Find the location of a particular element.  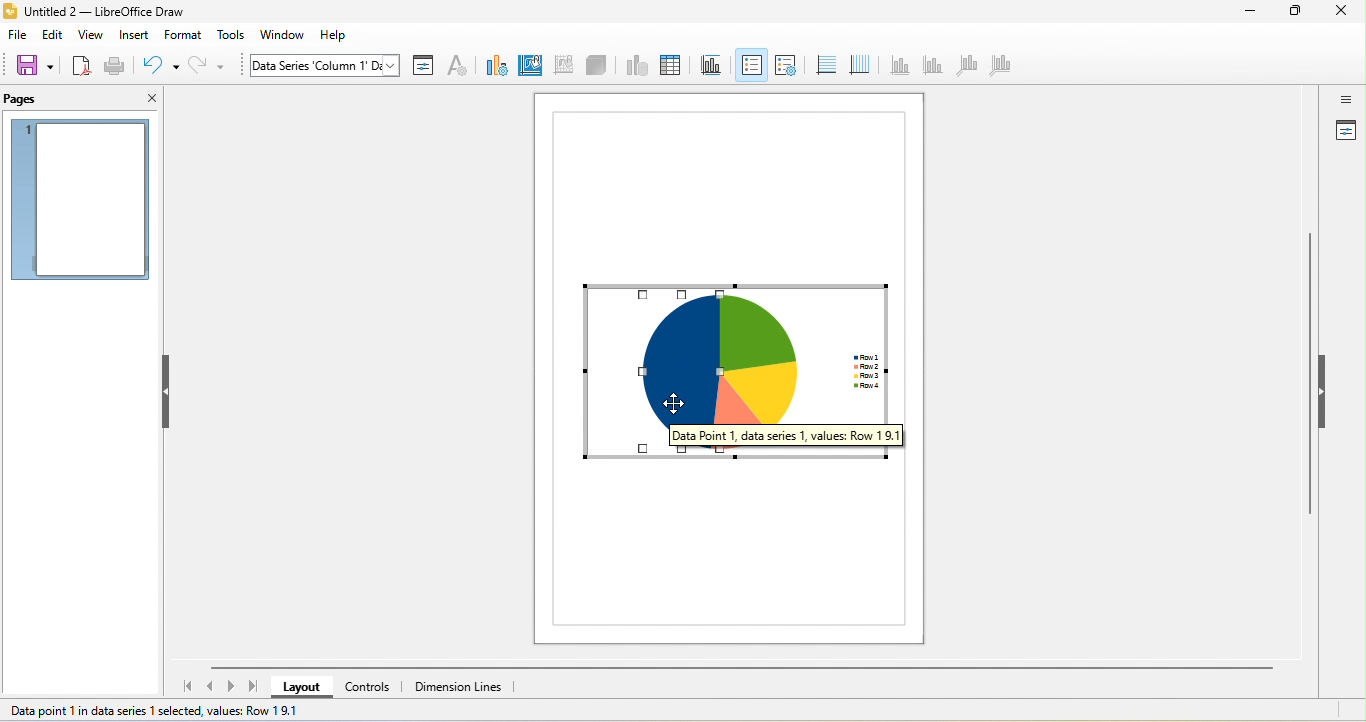

previous is located at coordinates (213, 684).